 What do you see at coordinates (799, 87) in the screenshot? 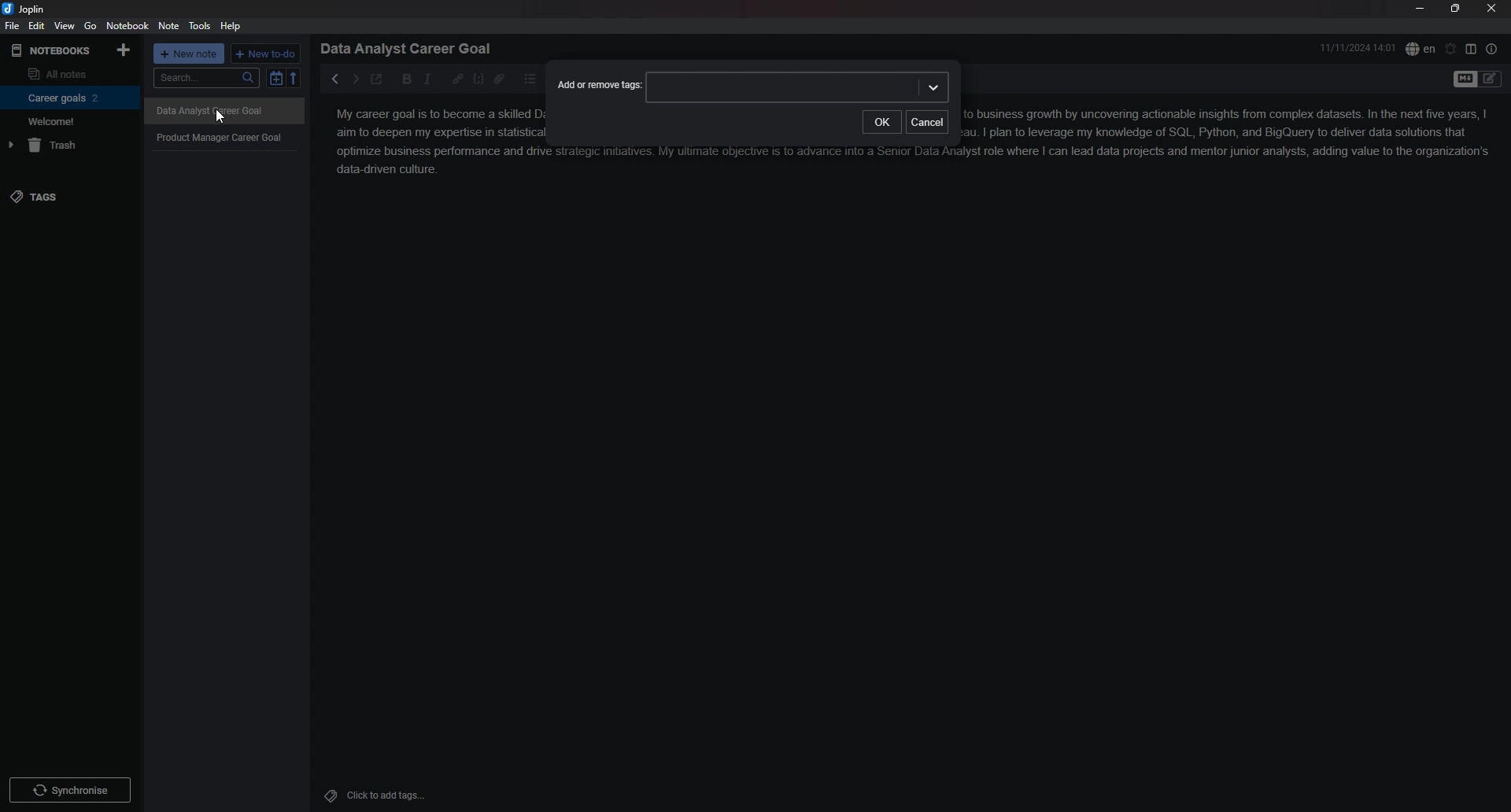
I see `input box` at bounding box center [799, 87].